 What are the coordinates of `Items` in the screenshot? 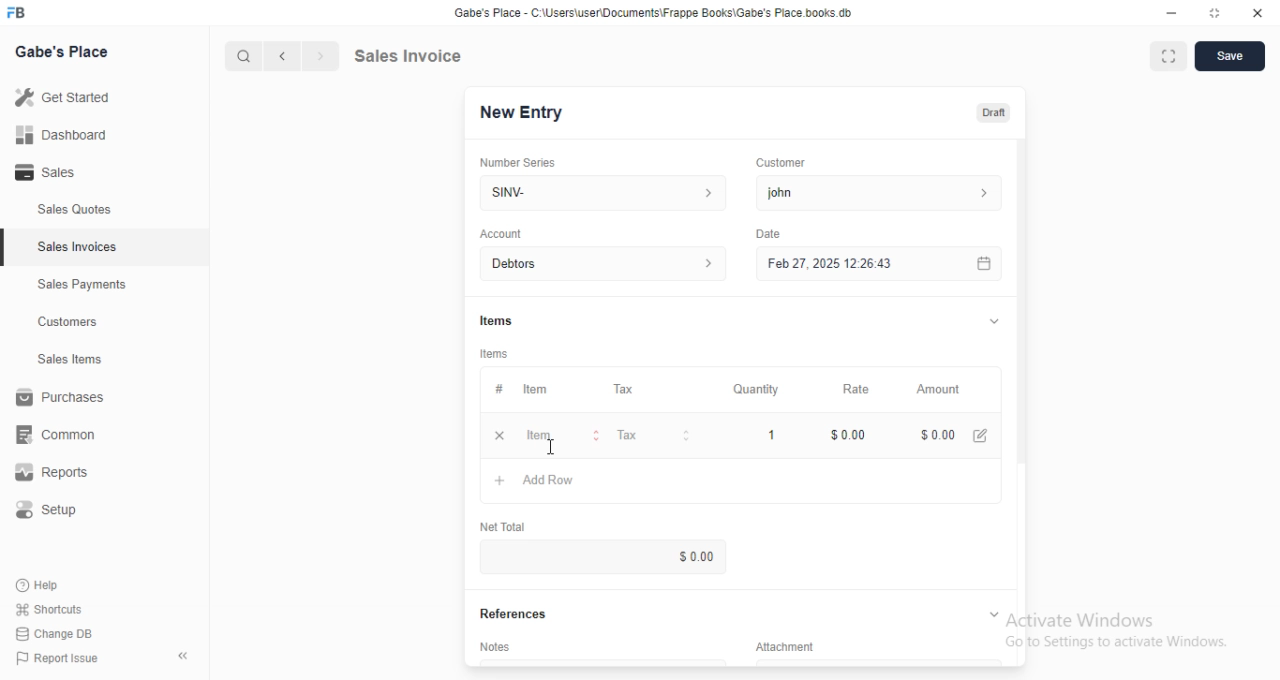 It's located at (495, 317).